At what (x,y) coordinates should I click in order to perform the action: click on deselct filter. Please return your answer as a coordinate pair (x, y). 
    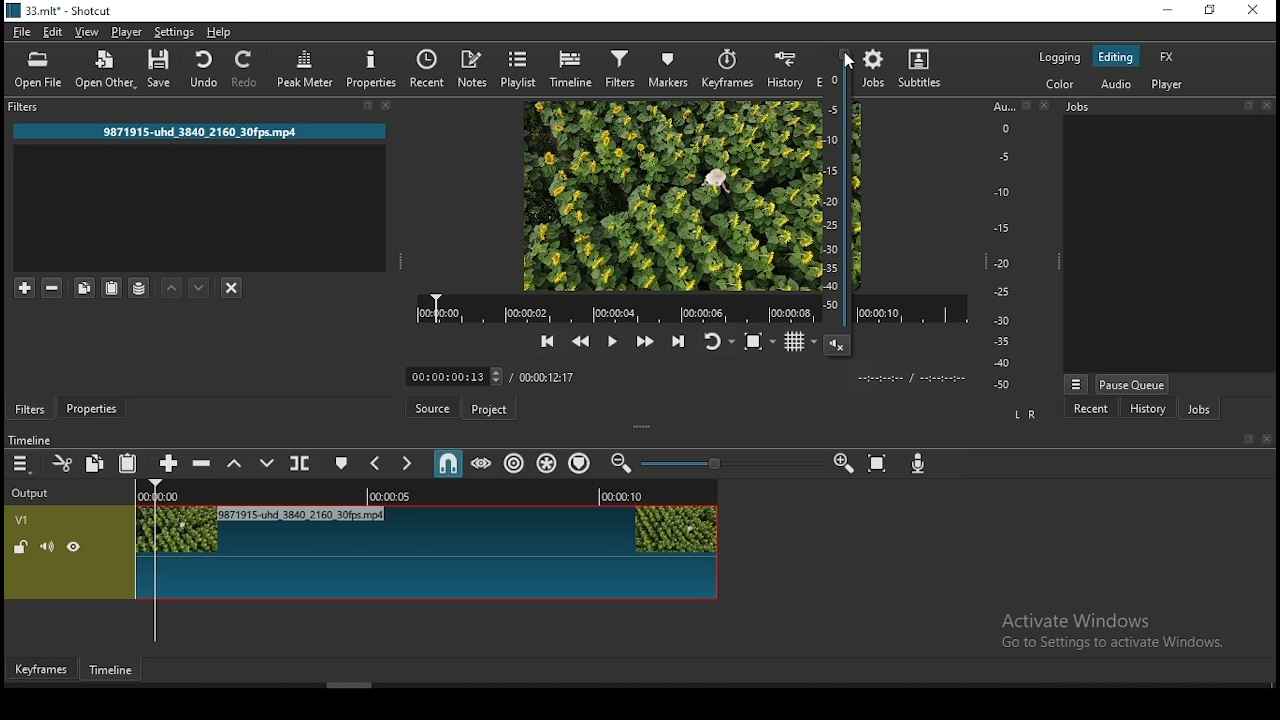
    Looking at the image, I should click on (231, 289).